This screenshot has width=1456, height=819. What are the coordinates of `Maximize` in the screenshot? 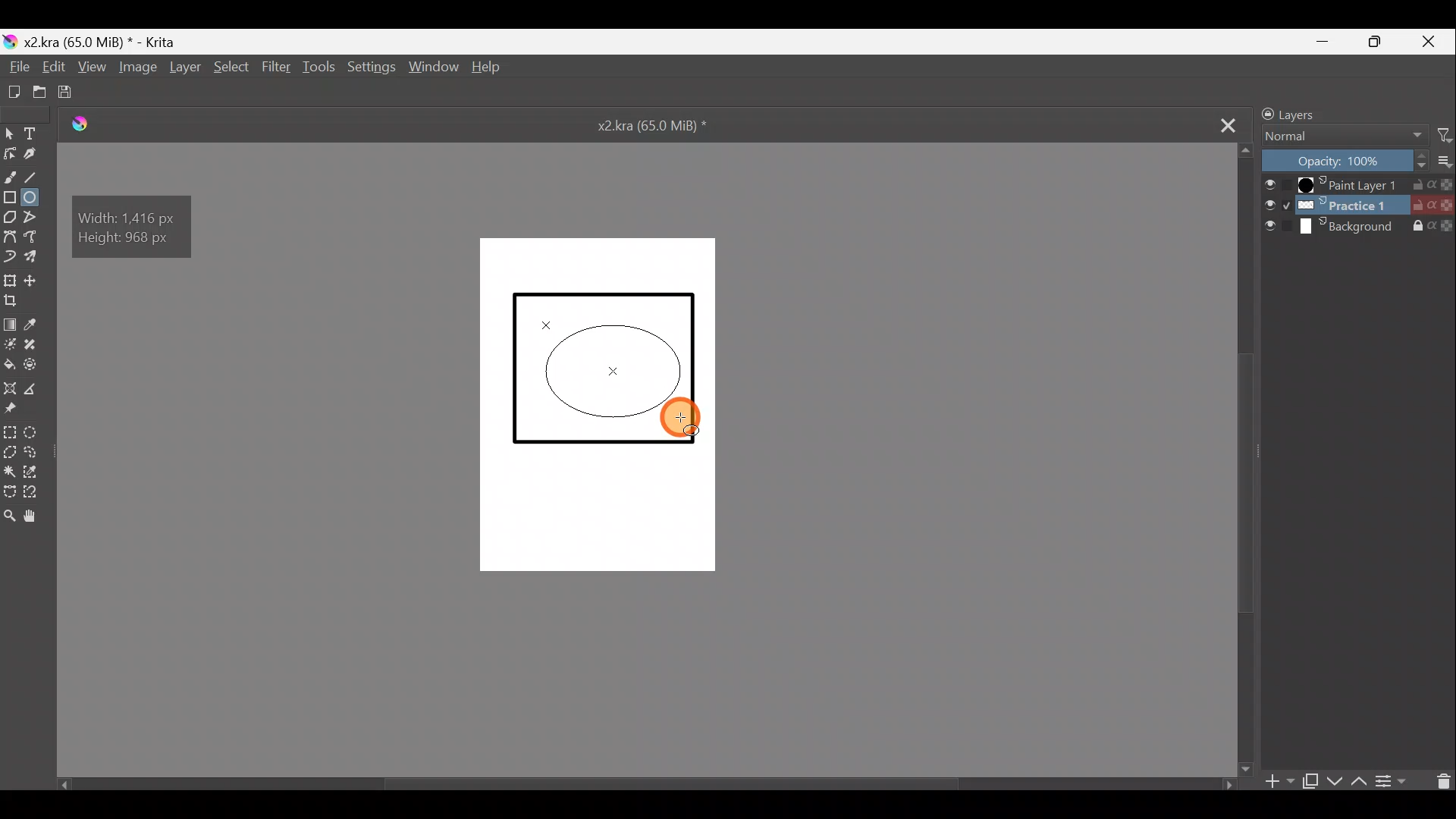 It's located at (1385, 45).